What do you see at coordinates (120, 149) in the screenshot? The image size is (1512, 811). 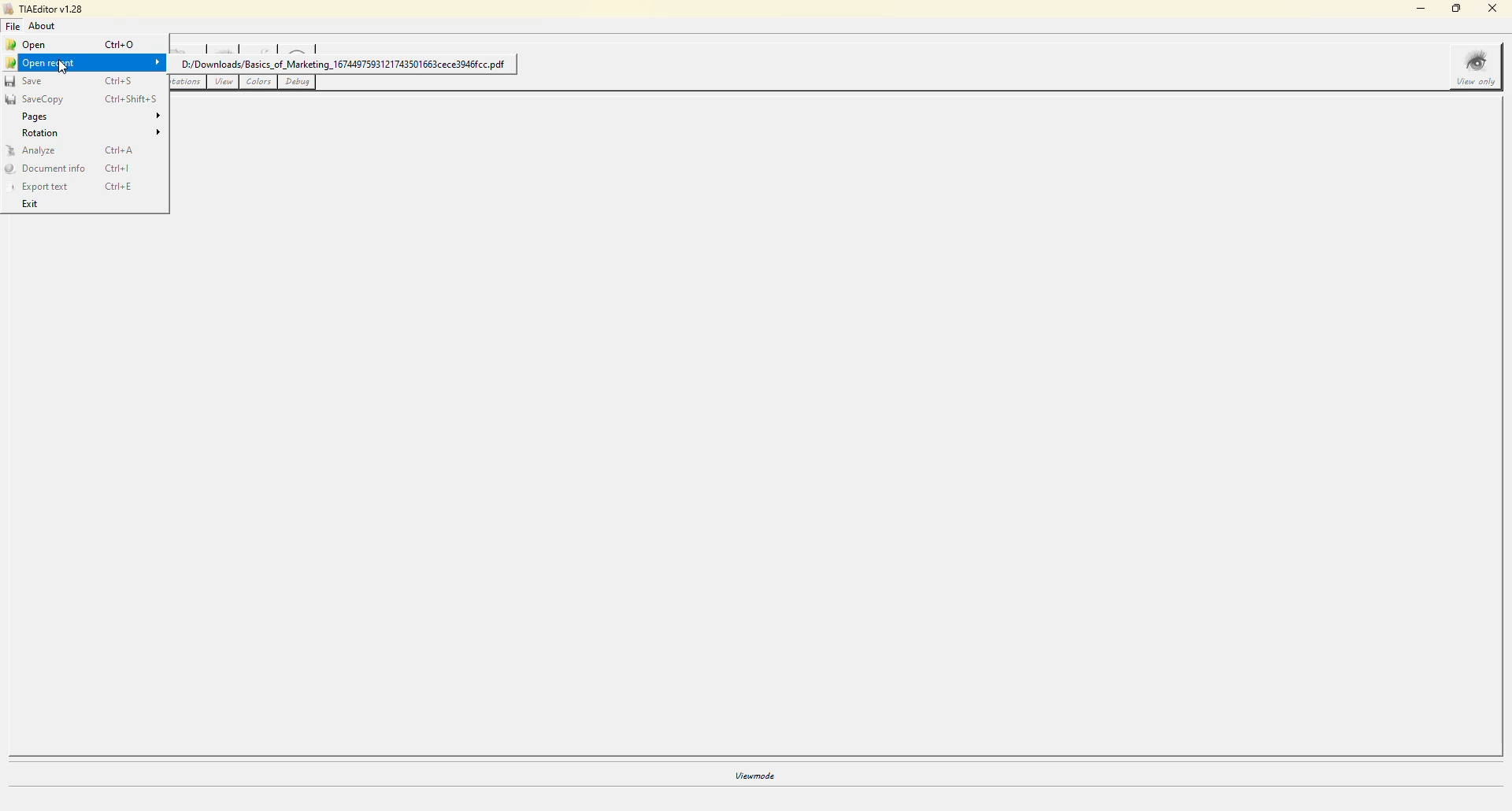 I see `ctrl+a` at bounding box center [120, 149].